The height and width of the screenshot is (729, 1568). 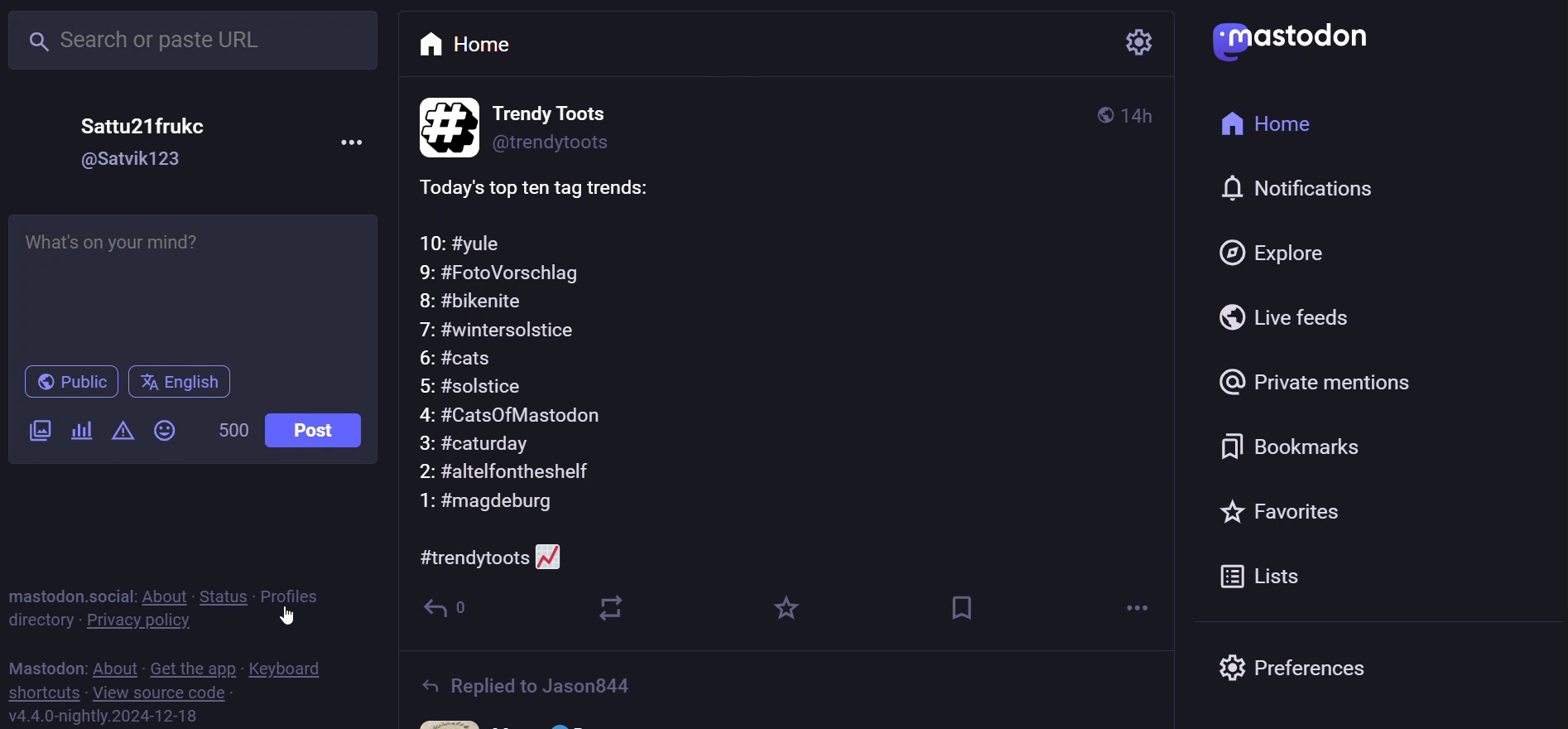 What do you see at coordinates (133, 160) in the screenshot?
I see `@Satvik123` at bounding box center [133, 160].